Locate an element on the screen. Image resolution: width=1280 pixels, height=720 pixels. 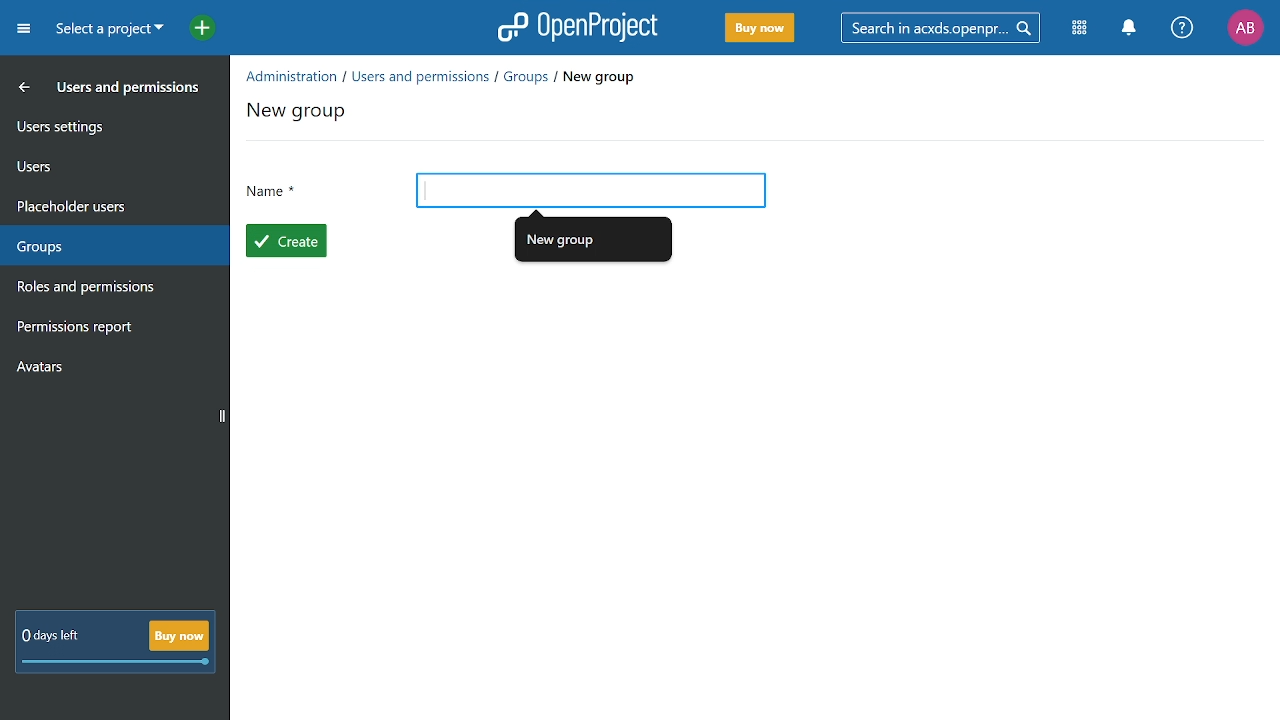
Autofill "New group" is located at coordinates (595, 237).